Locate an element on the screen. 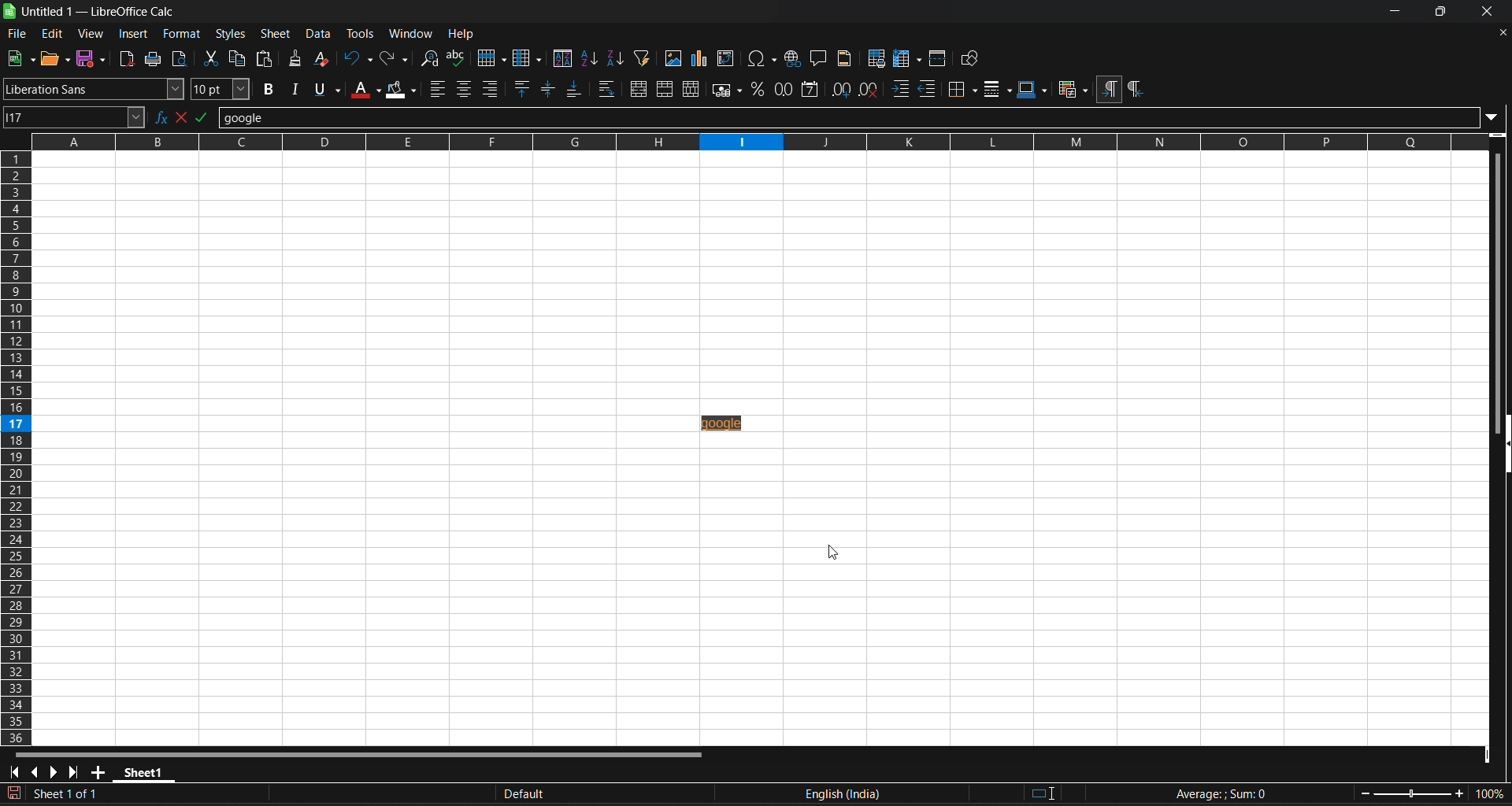 This screenshot has height=806, width=1512. scroll to last sheet  is located at coordinates (73, 773).